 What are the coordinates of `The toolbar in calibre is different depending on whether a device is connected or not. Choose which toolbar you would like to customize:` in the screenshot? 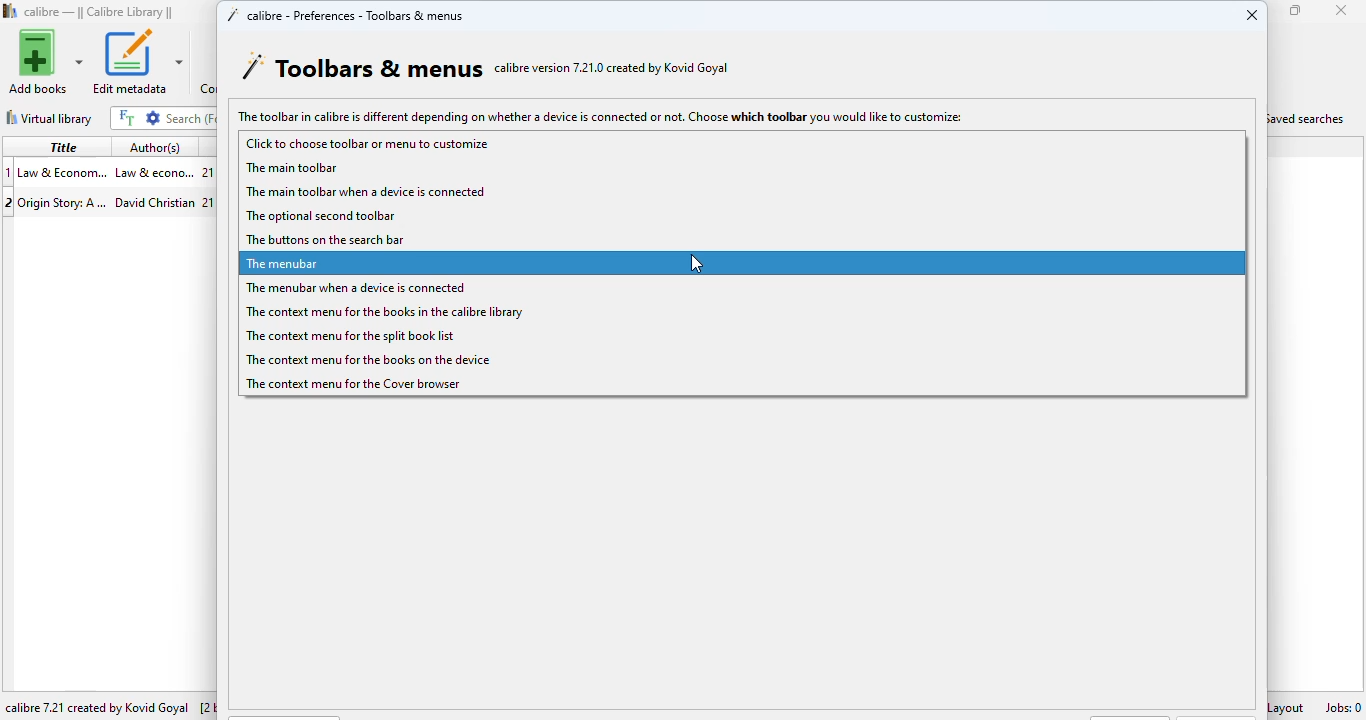 It's located at (598, 115).